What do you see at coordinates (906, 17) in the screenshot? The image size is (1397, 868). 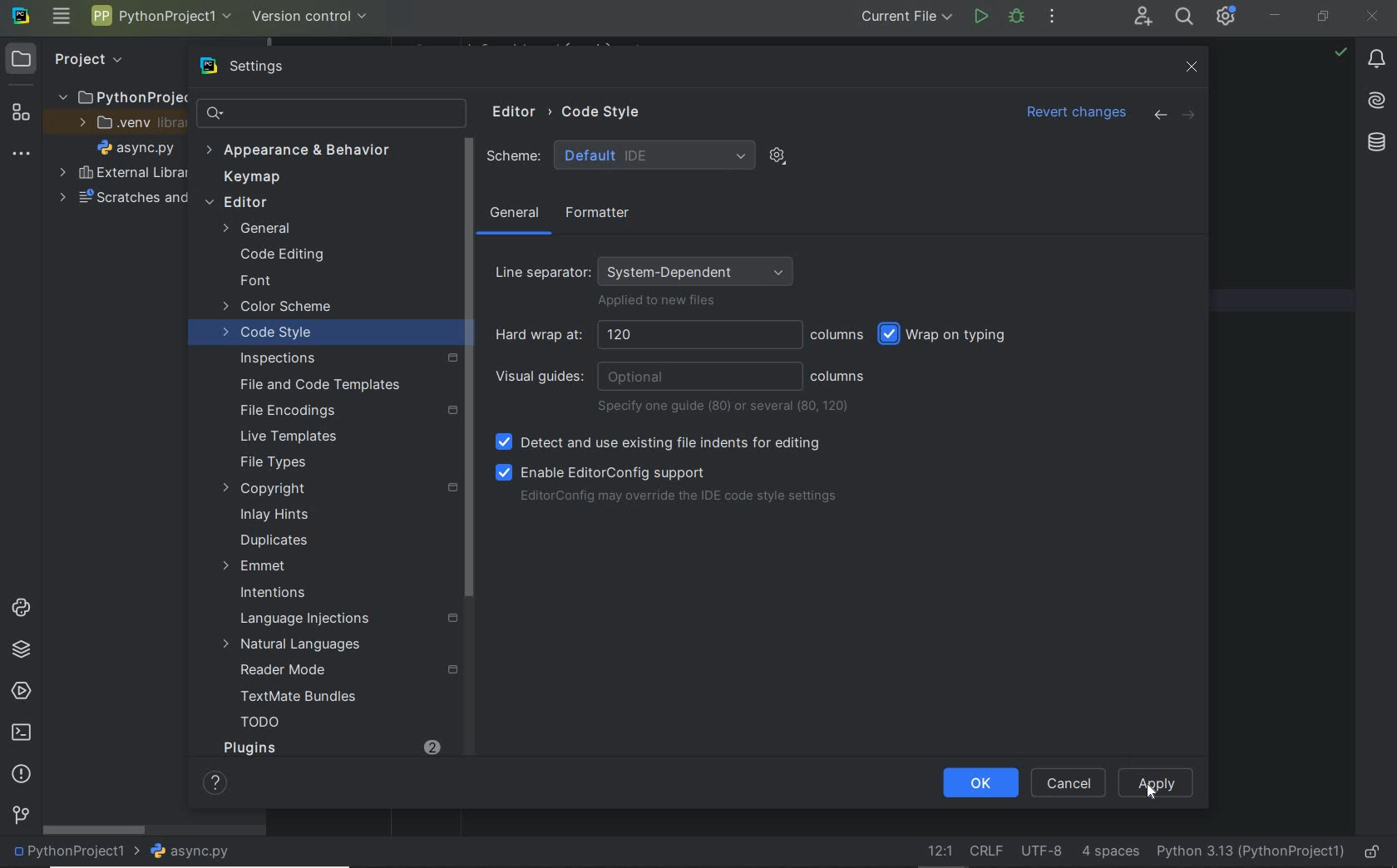 I see `current file` at bounding box center [906, 17].